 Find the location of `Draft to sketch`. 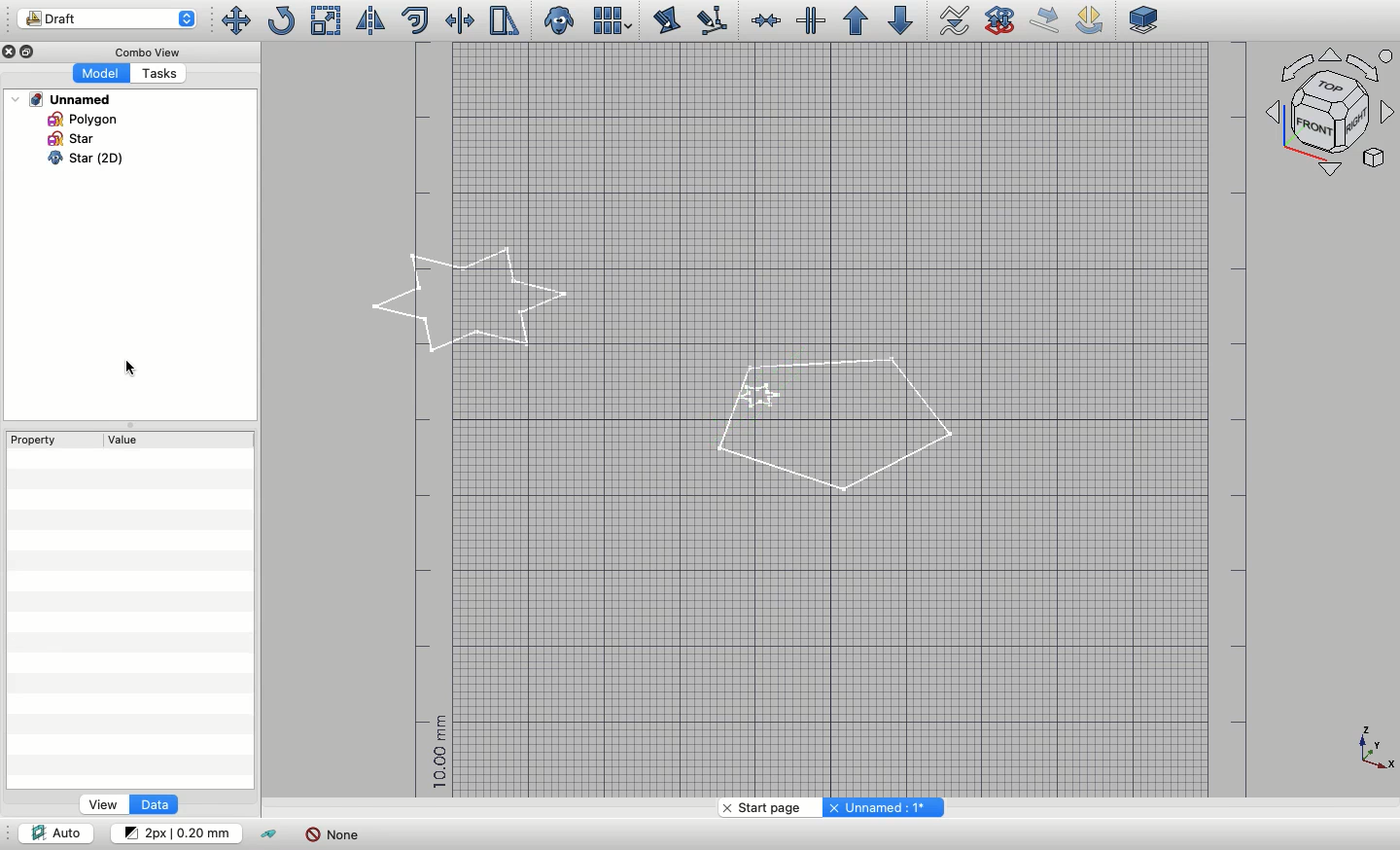

Draft to sketch is located at coordinates (1000, 18).